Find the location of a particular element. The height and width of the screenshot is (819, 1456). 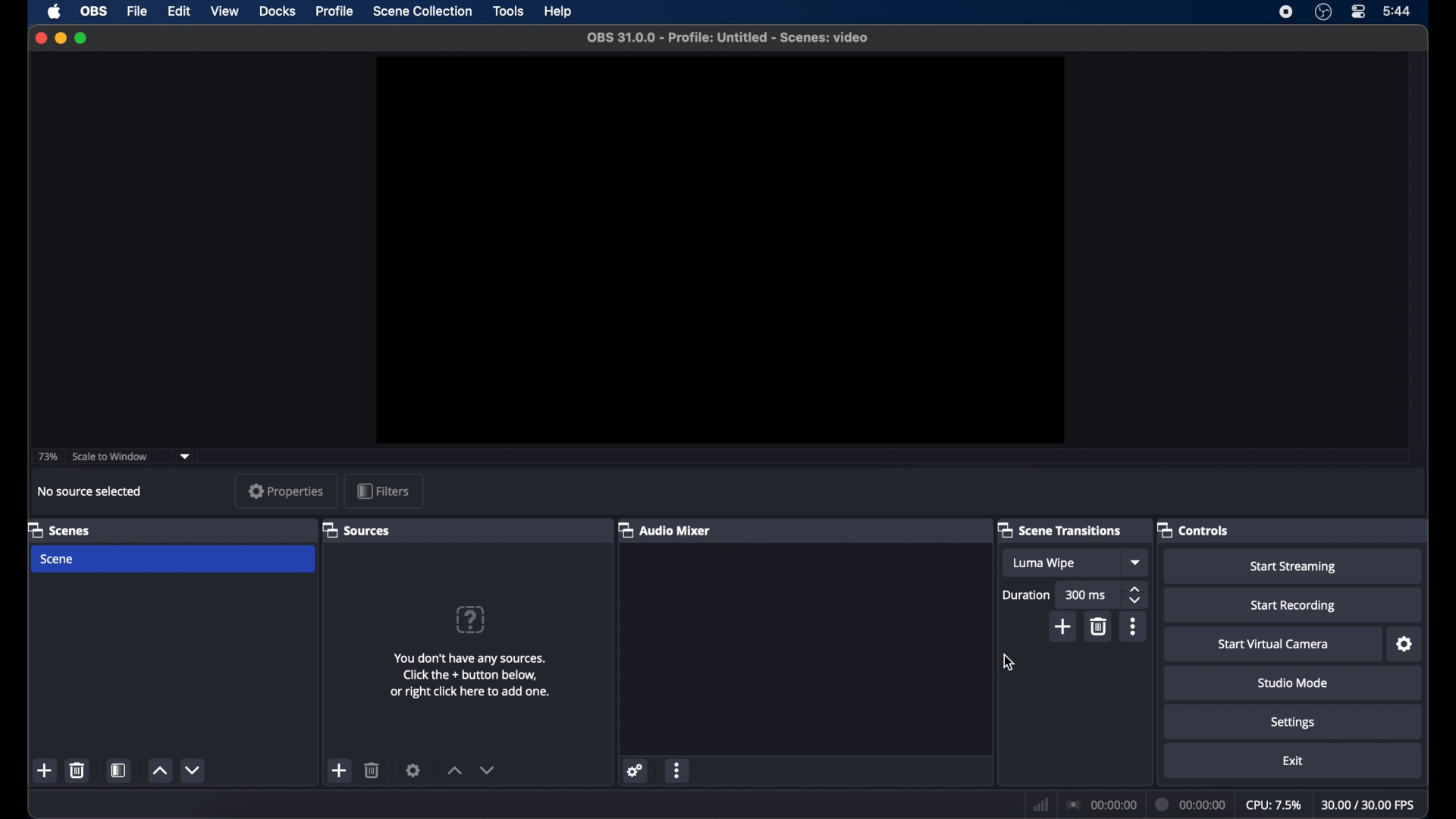

increment is located at coordinates (162, 770).